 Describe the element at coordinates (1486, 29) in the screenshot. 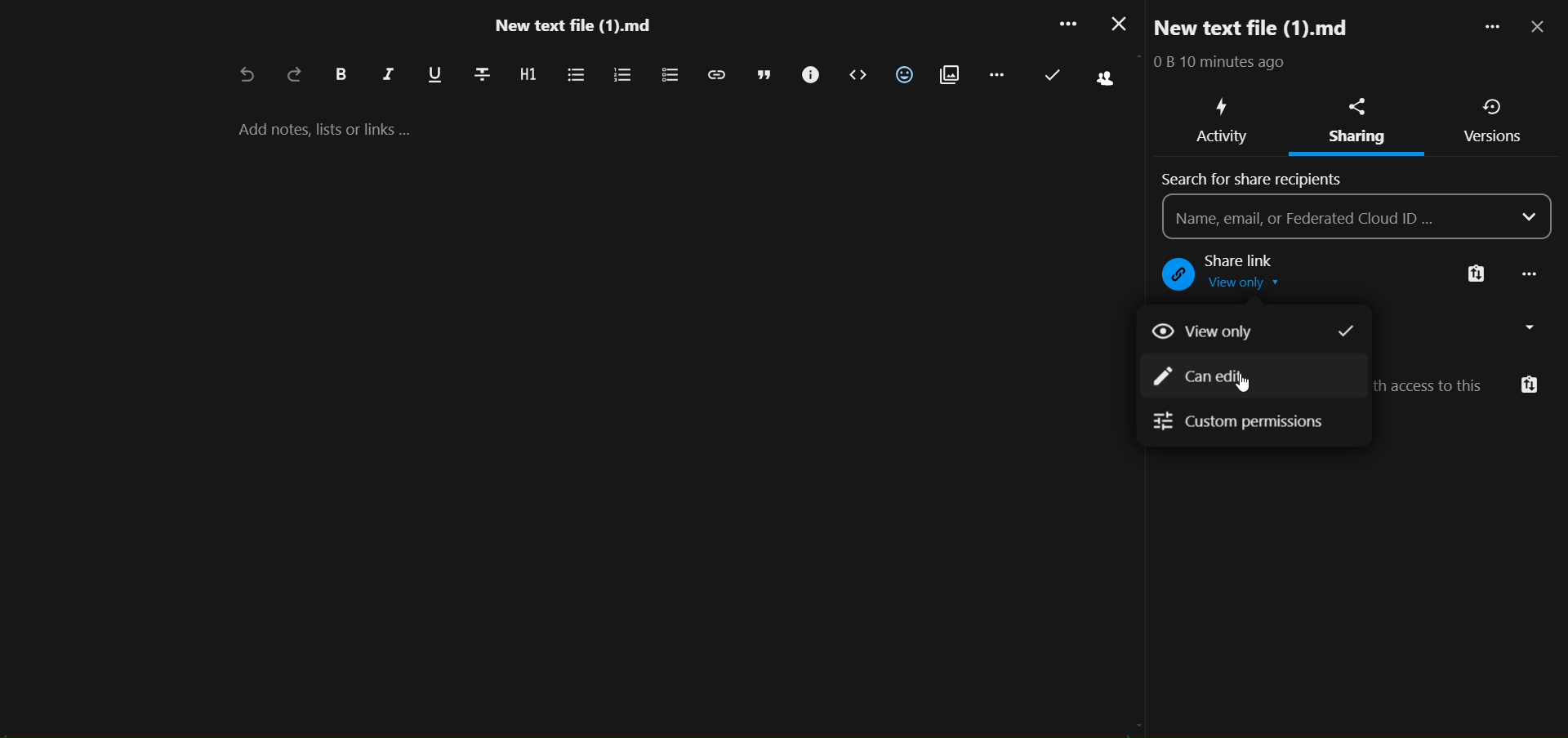

I see `more` at that location.